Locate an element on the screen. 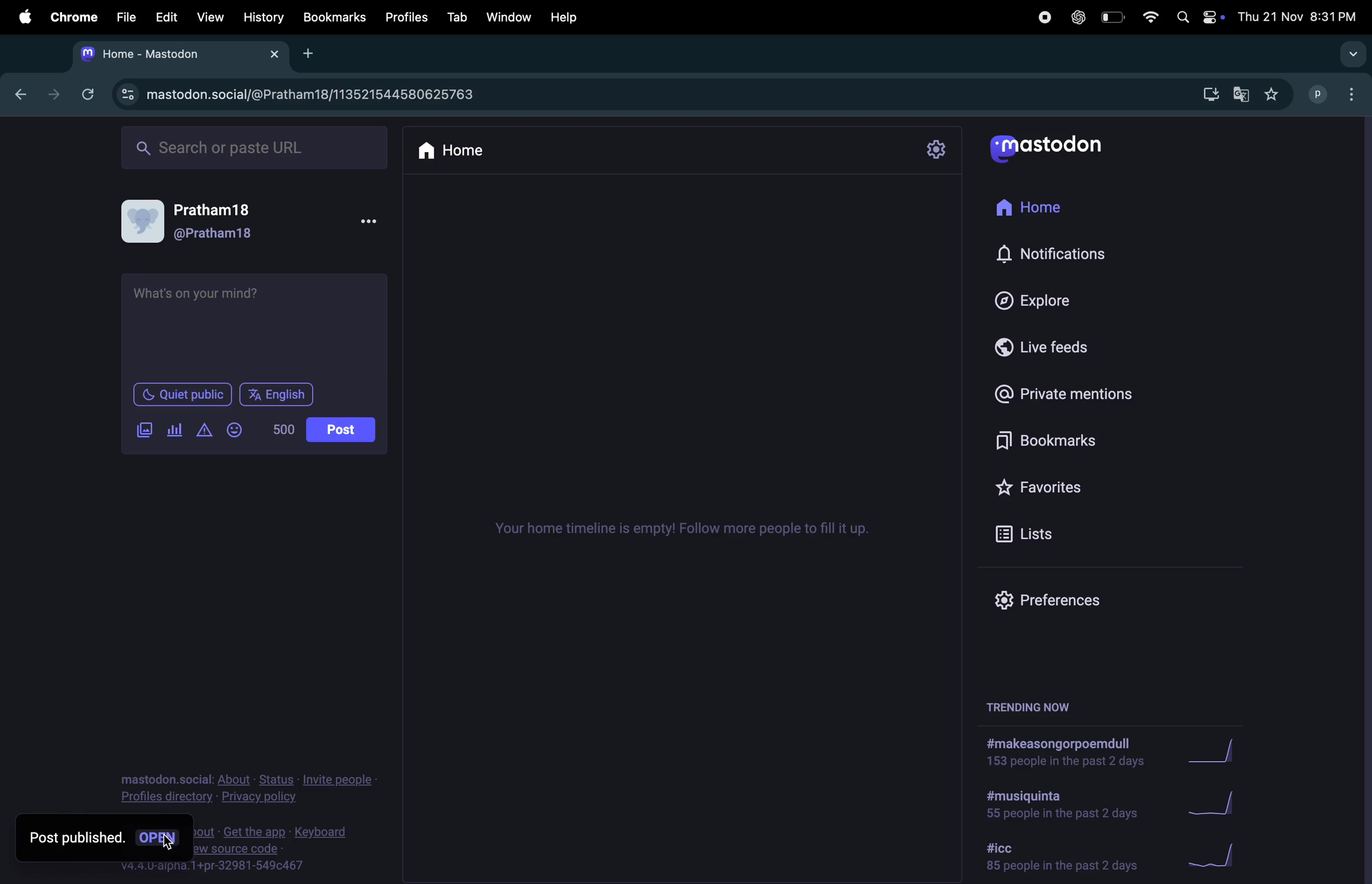  explore is located at coordinates (1043, 300).